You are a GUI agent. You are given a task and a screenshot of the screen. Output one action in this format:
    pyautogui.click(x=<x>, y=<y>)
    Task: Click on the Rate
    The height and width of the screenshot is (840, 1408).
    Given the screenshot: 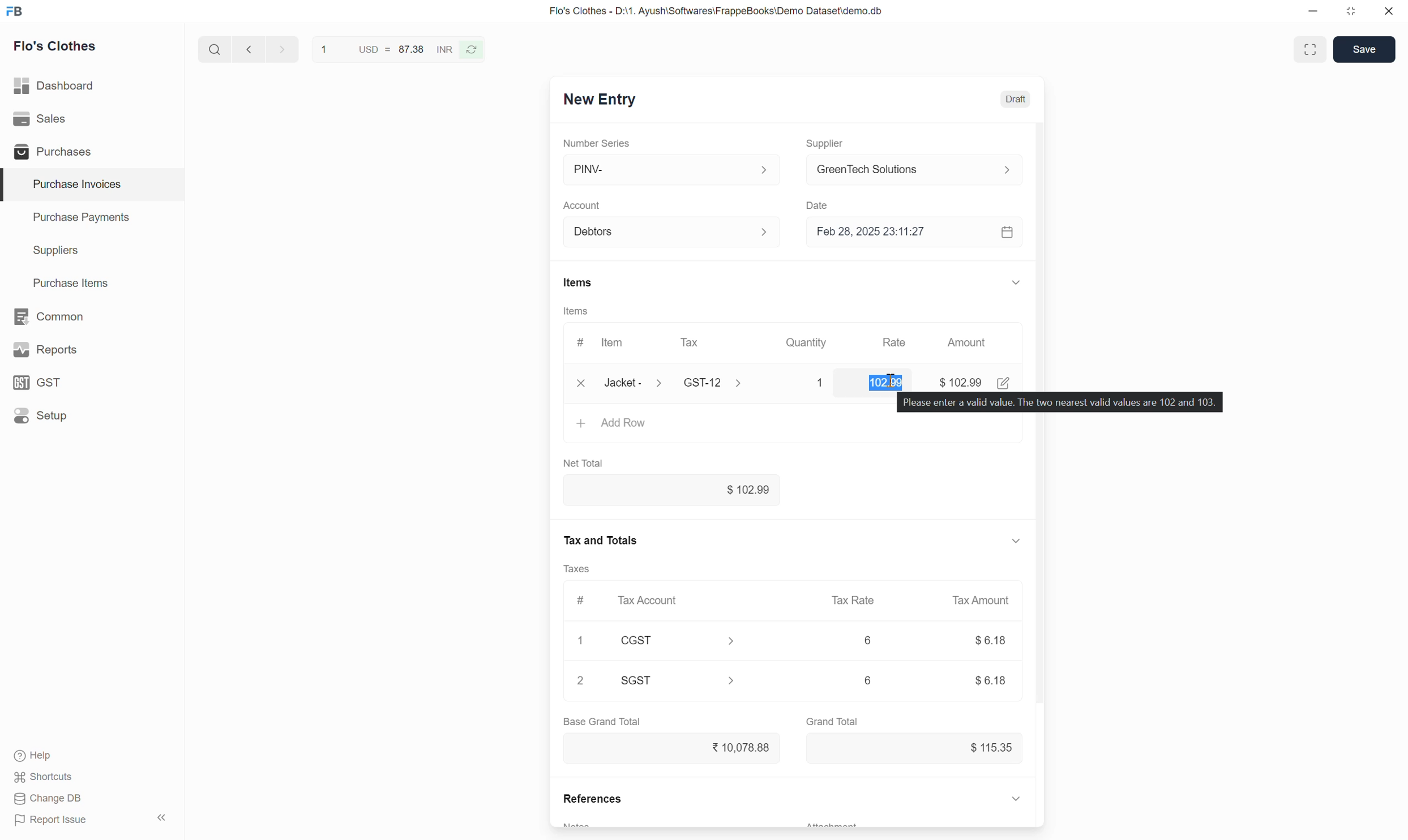 What is the action you would take?
    pyautogui.click(x=896, y=338)
    